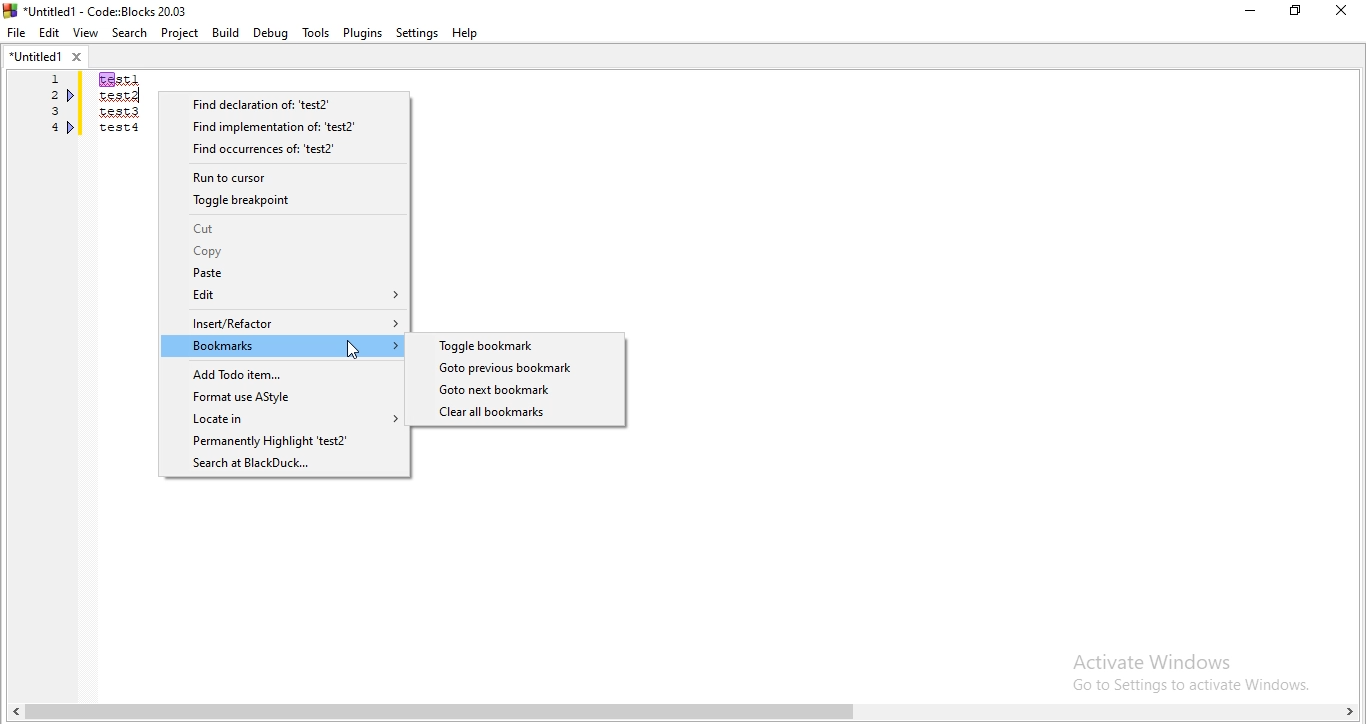  I want to click on Settings , so click(419, 33).